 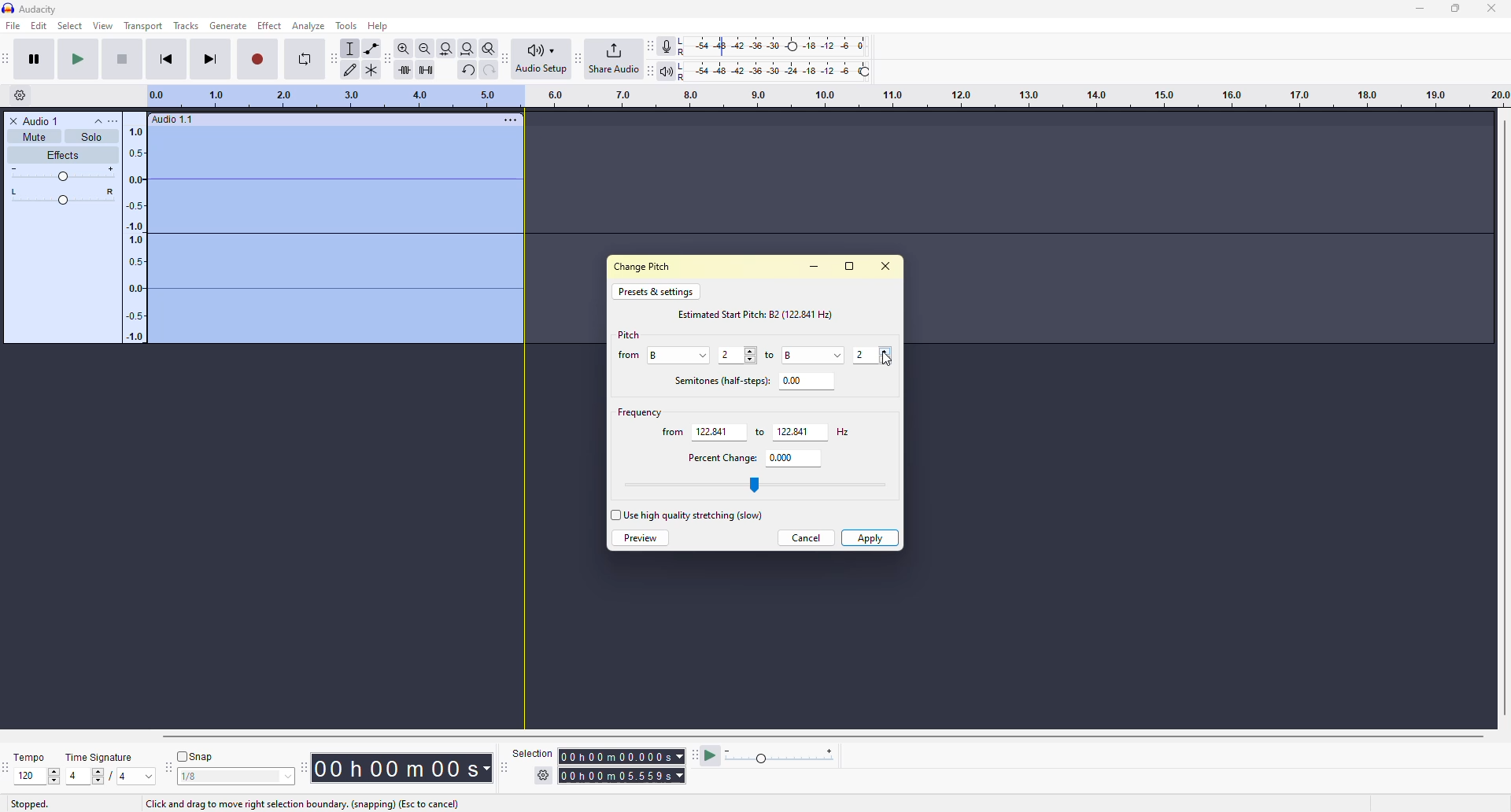 I want to click on selection tool, so click(x=351, y=49).